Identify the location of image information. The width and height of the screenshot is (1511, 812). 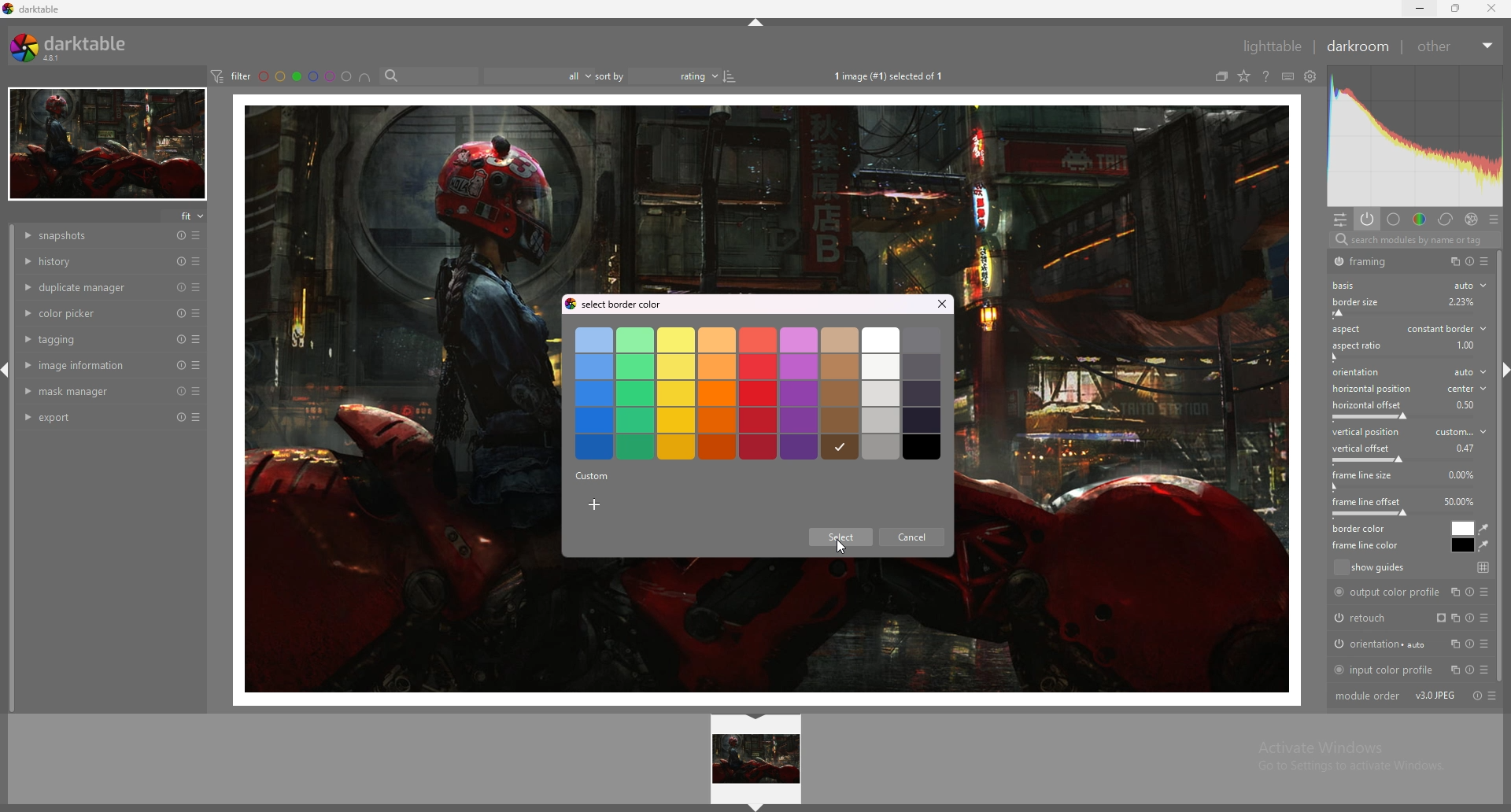
(94, 364).